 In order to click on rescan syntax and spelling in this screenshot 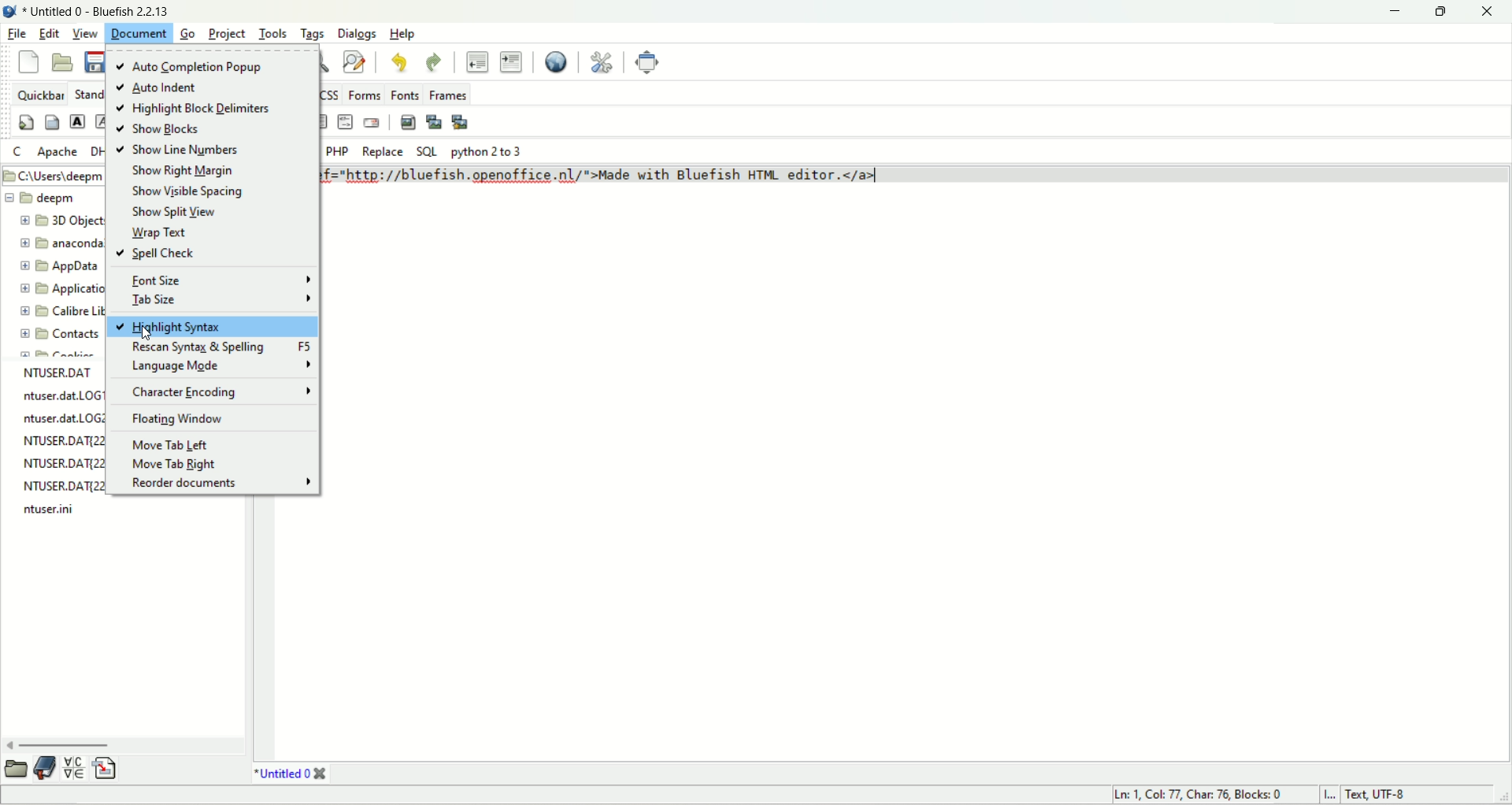, I will do `click(220, 346)`.